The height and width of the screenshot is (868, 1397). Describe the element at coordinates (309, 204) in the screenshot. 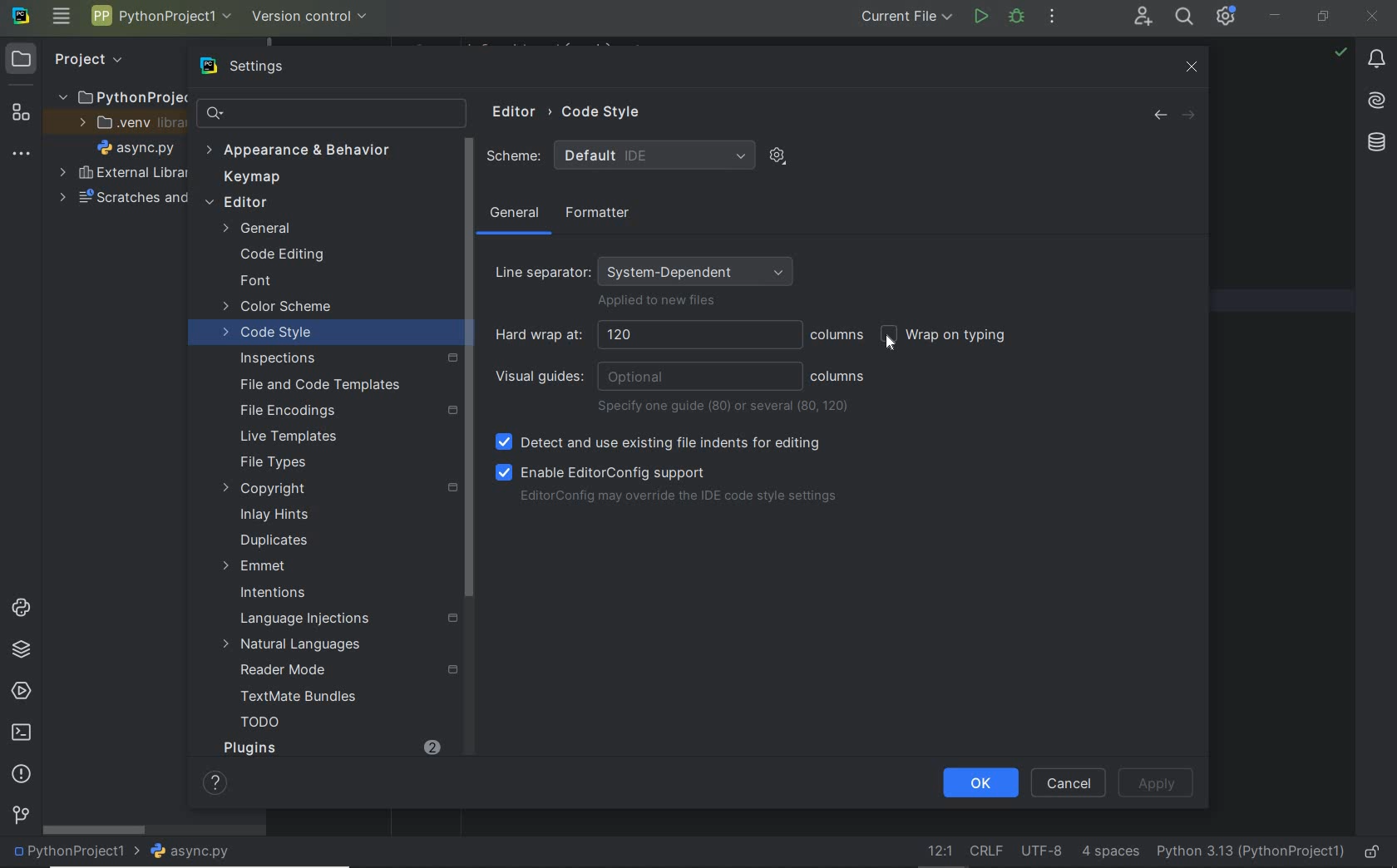

I see `editor` at that location.